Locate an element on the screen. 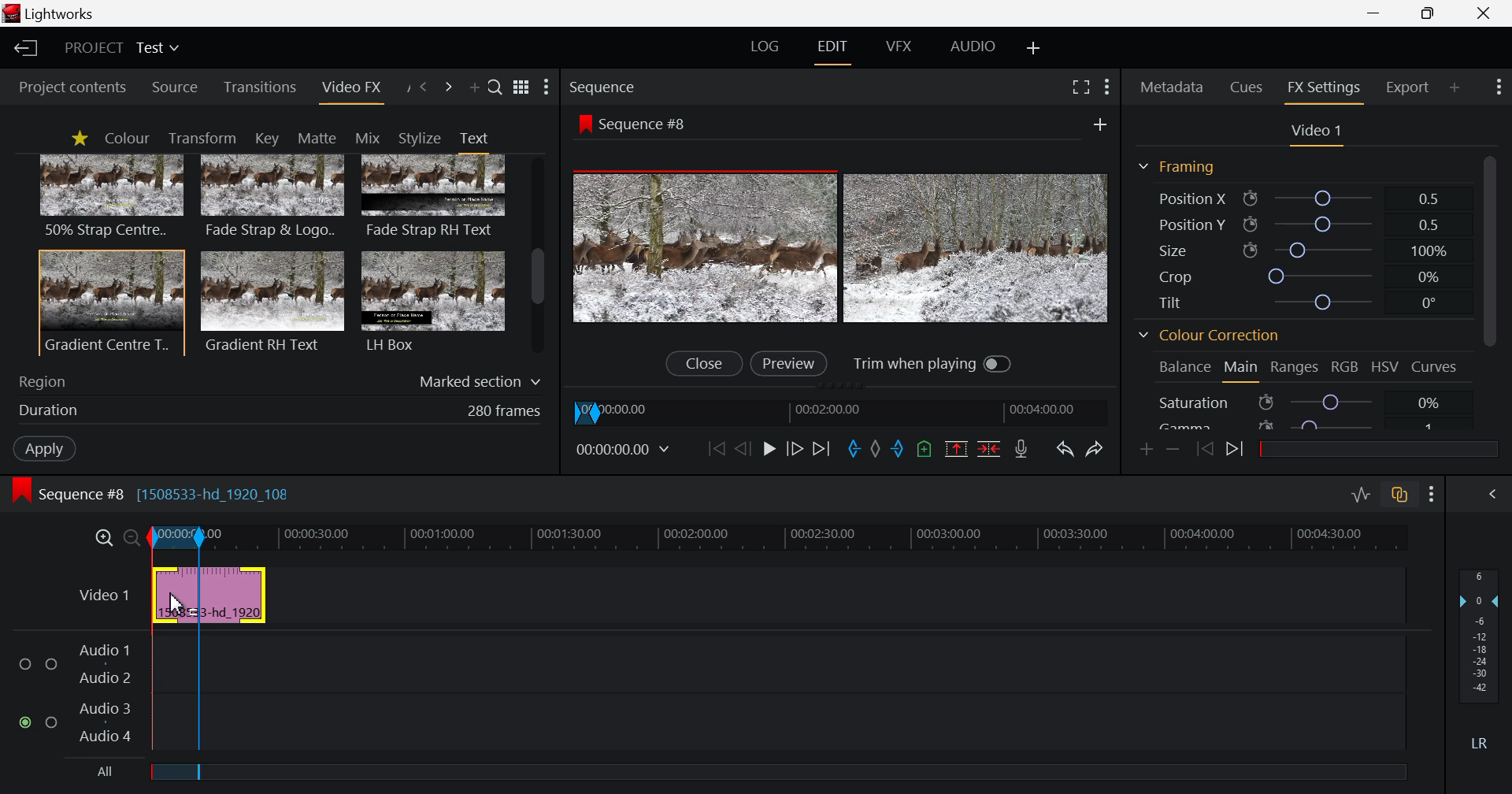 The width and height of the screenshot is (1512, 794). Sequence Section Heading  is located at coordinates (668, 86).